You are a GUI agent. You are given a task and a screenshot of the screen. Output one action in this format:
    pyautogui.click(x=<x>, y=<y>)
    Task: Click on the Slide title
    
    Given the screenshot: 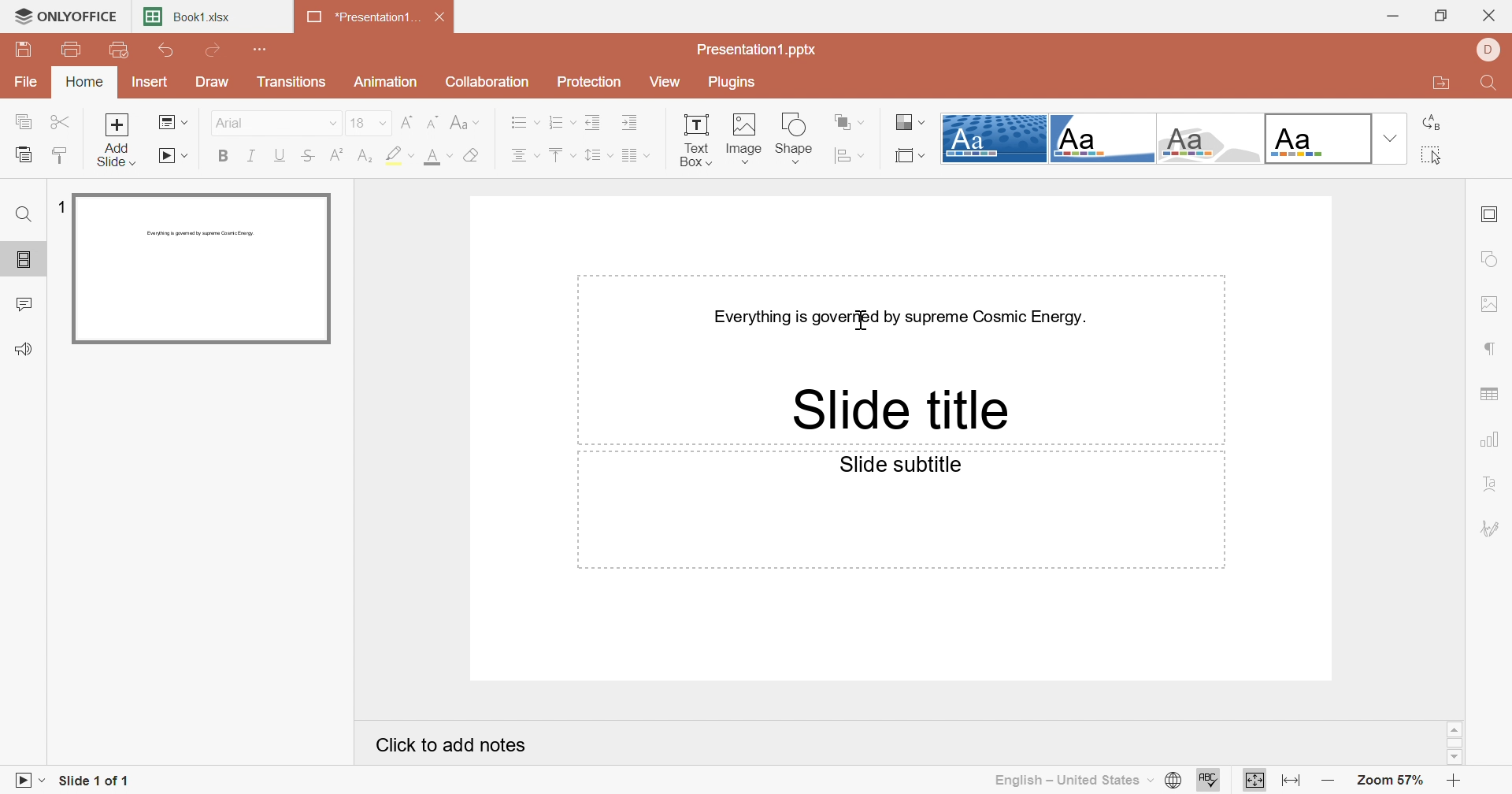 What is the action you would take?
    pyautogui.click(x=893, y=412)
    